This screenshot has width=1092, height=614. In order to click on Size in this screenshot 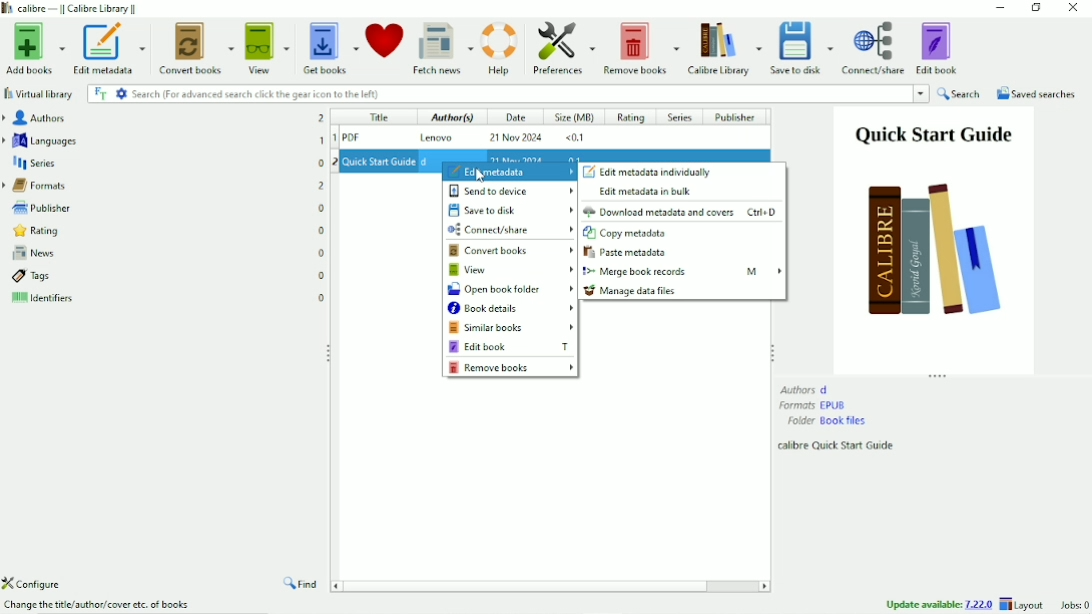, I will do `click(575, 119)`.